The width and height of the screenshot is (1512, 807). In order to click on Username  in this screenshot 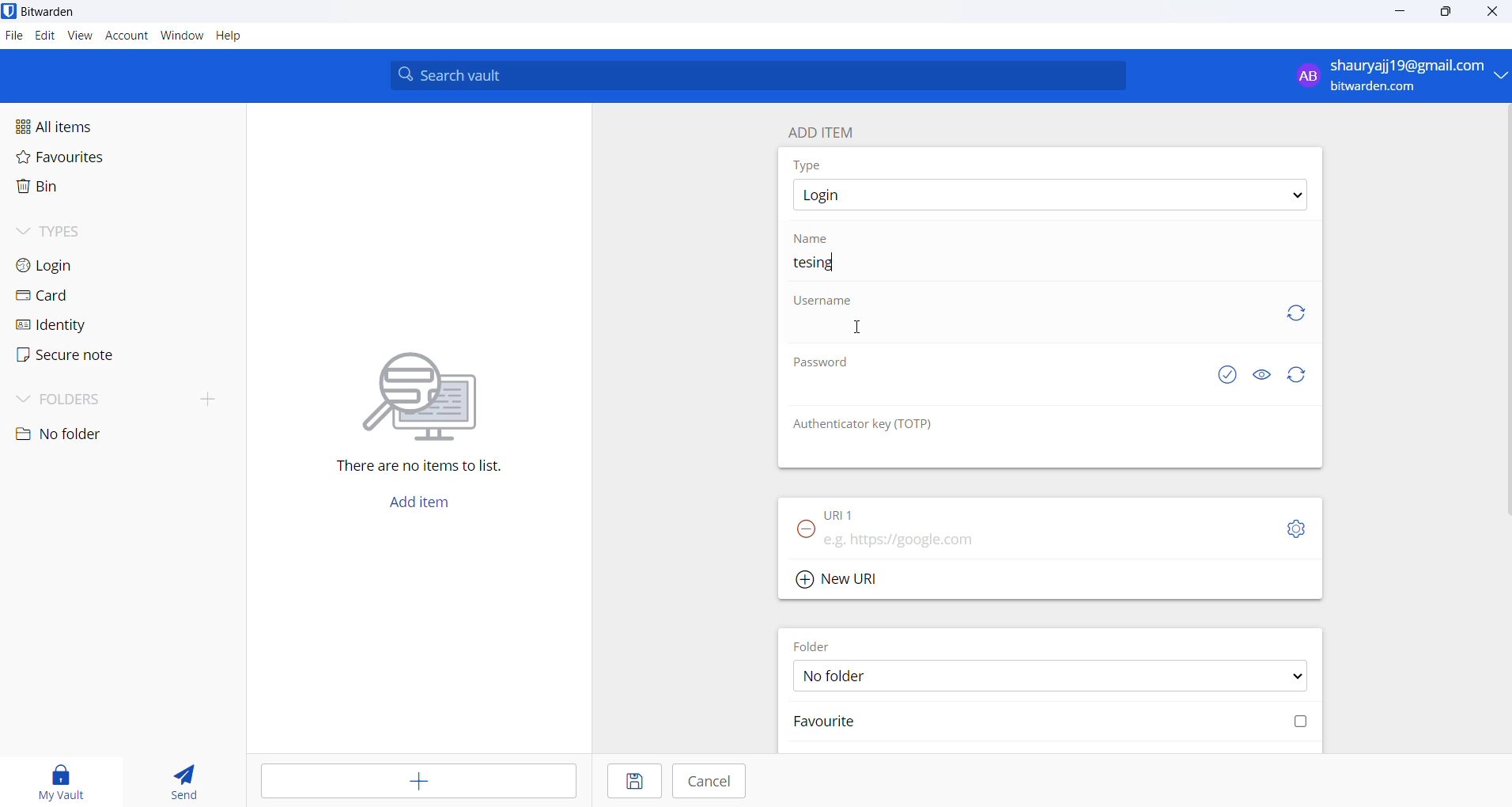, I will do `click(825, 302)`.